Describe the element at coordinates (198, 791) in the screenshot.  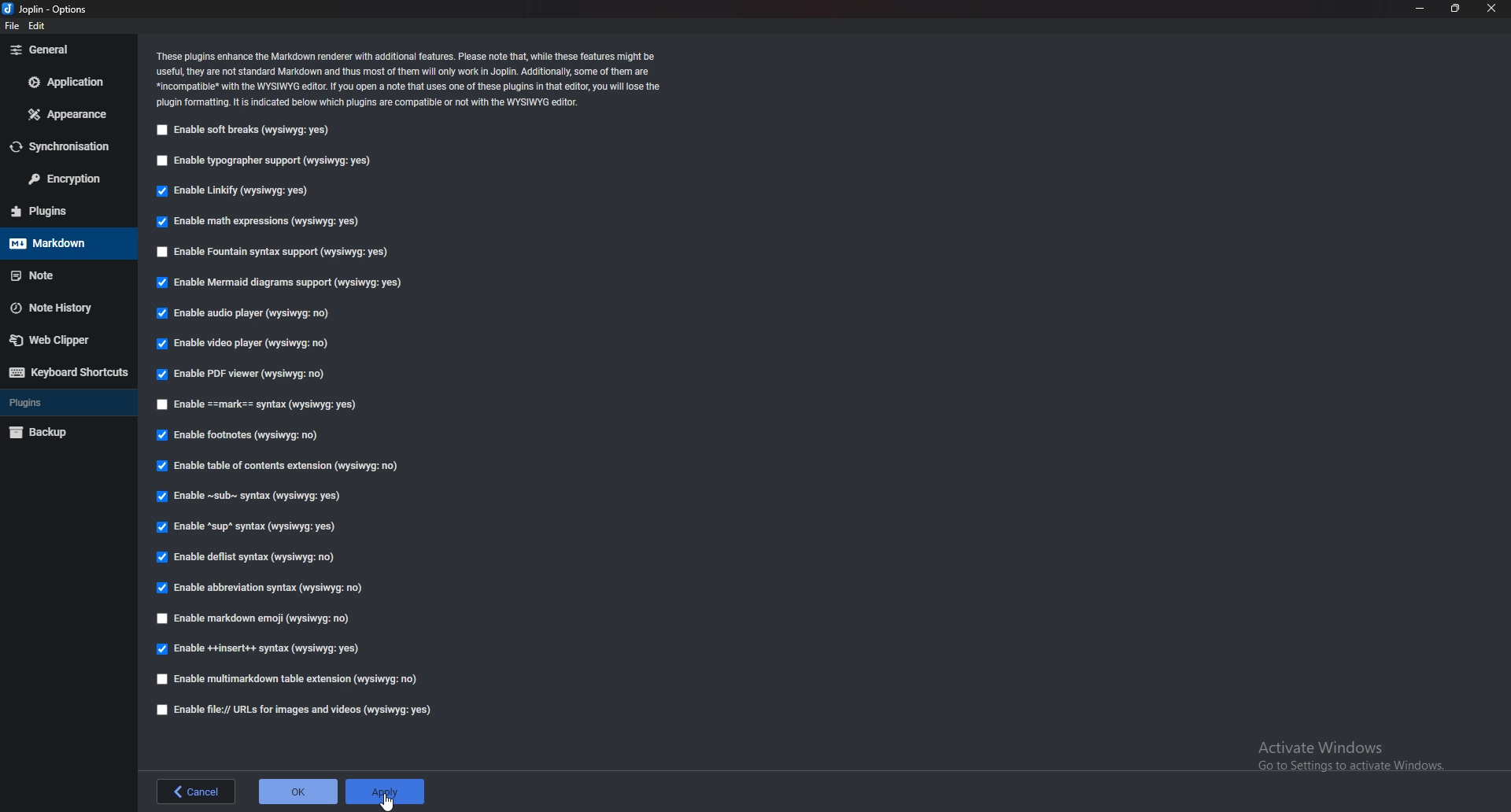
I see `back` at that location.